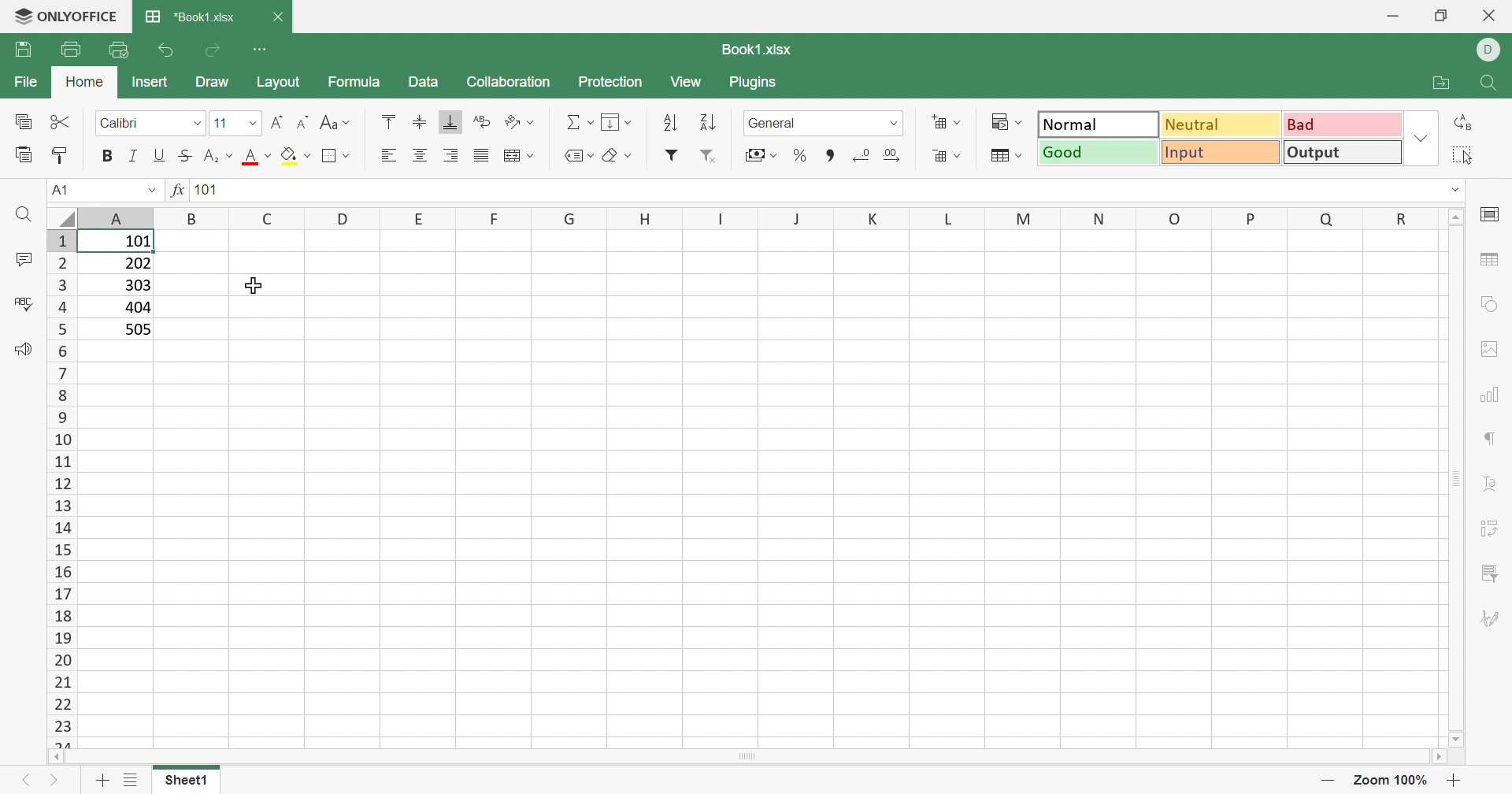  What do you see at coordinates (1395, 13) in the screenshot?
I see `Minimize` at bounding box center [1395, 13].